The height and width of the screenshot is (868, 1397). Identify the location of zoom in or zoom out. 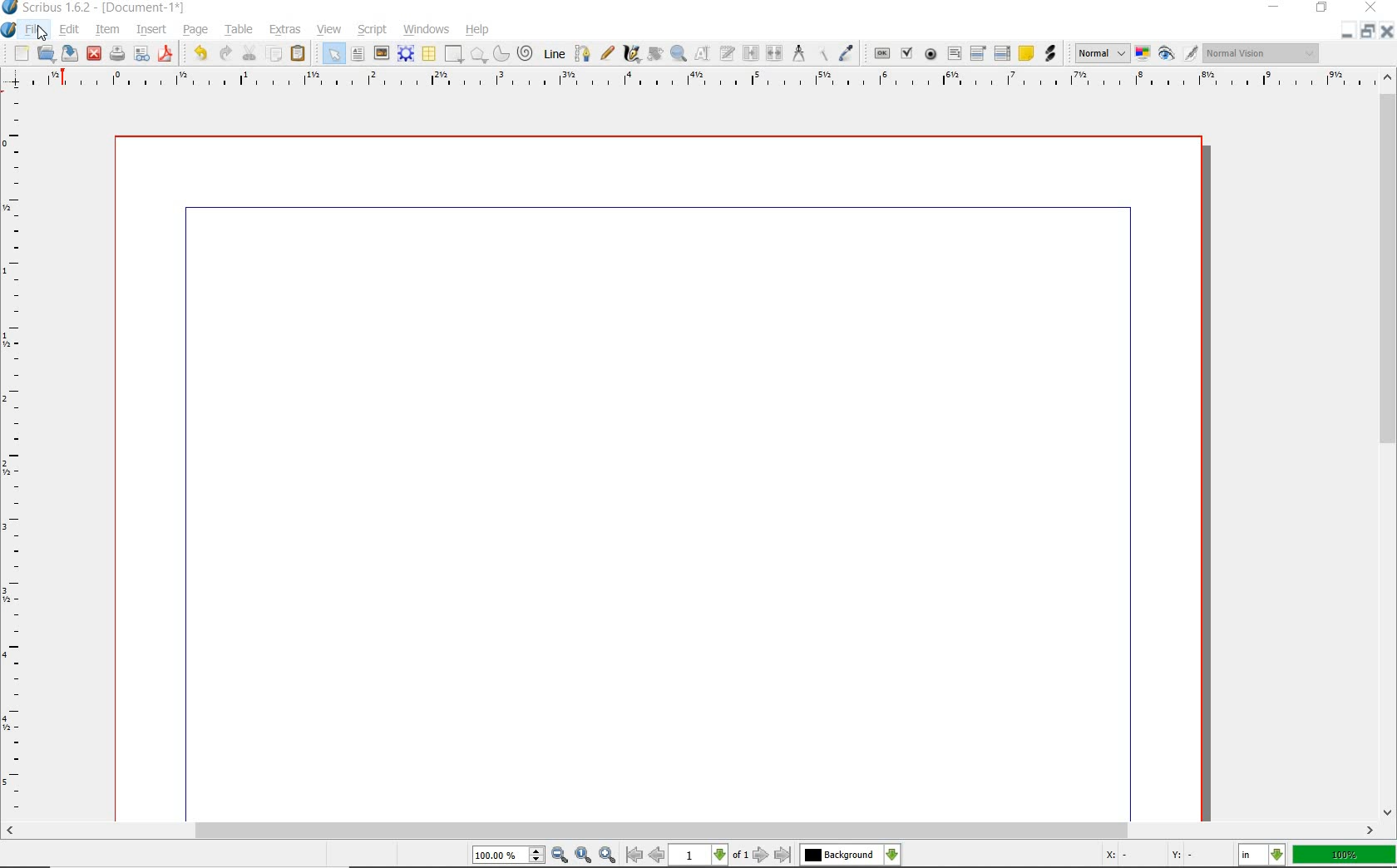
(678, 55).